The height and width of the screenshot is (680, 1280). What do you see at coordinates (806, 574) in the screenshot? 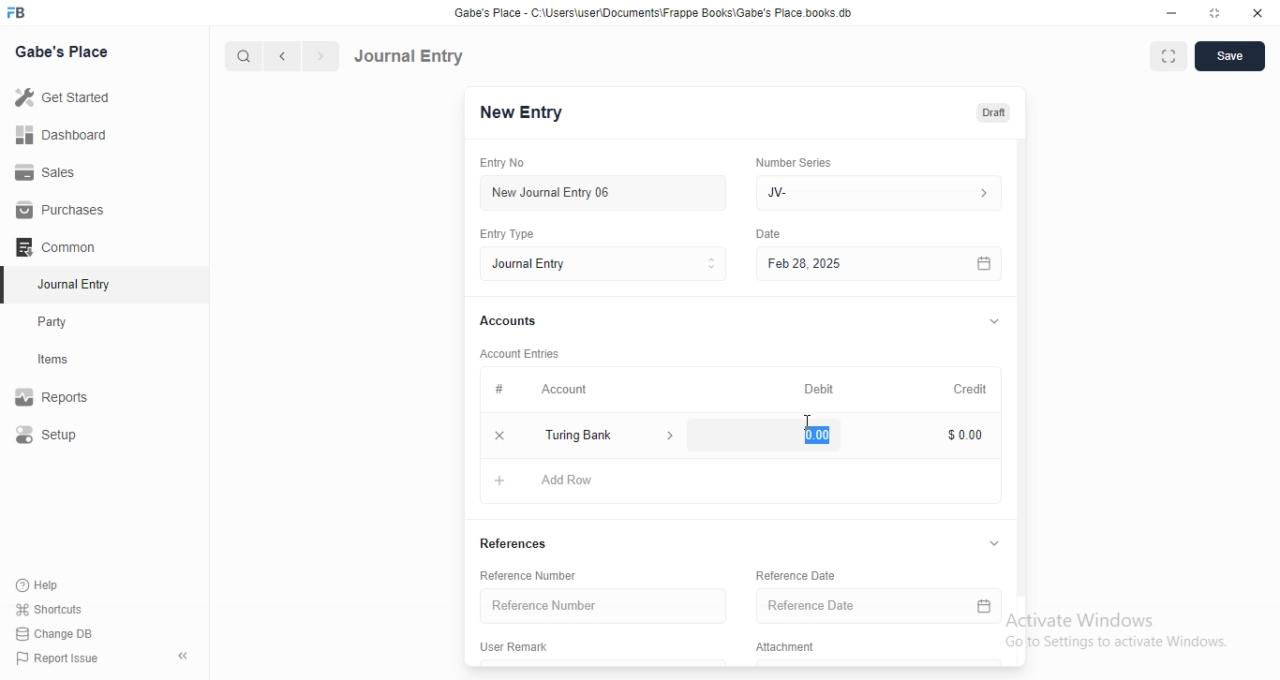
I see `Reference Date` at bounding box center [806, 574].